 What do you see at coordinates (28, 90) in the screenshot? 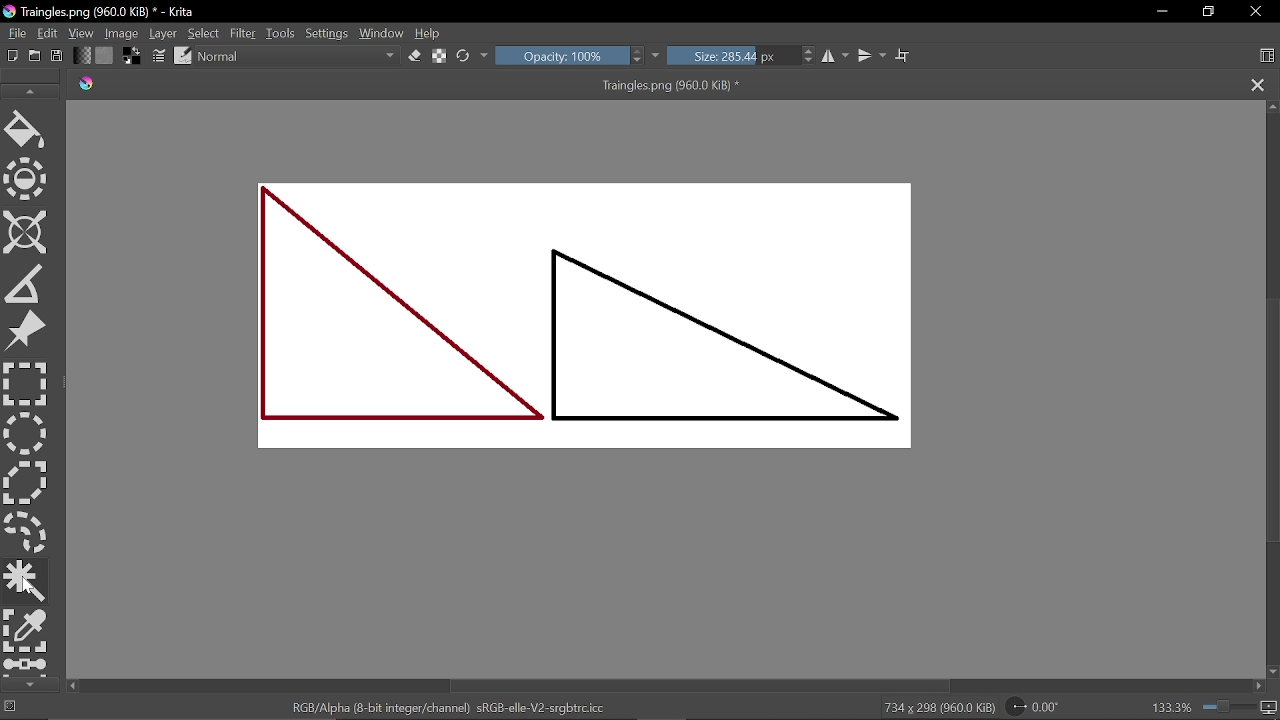
I see `scroll up` at bounding box center [28, 90].